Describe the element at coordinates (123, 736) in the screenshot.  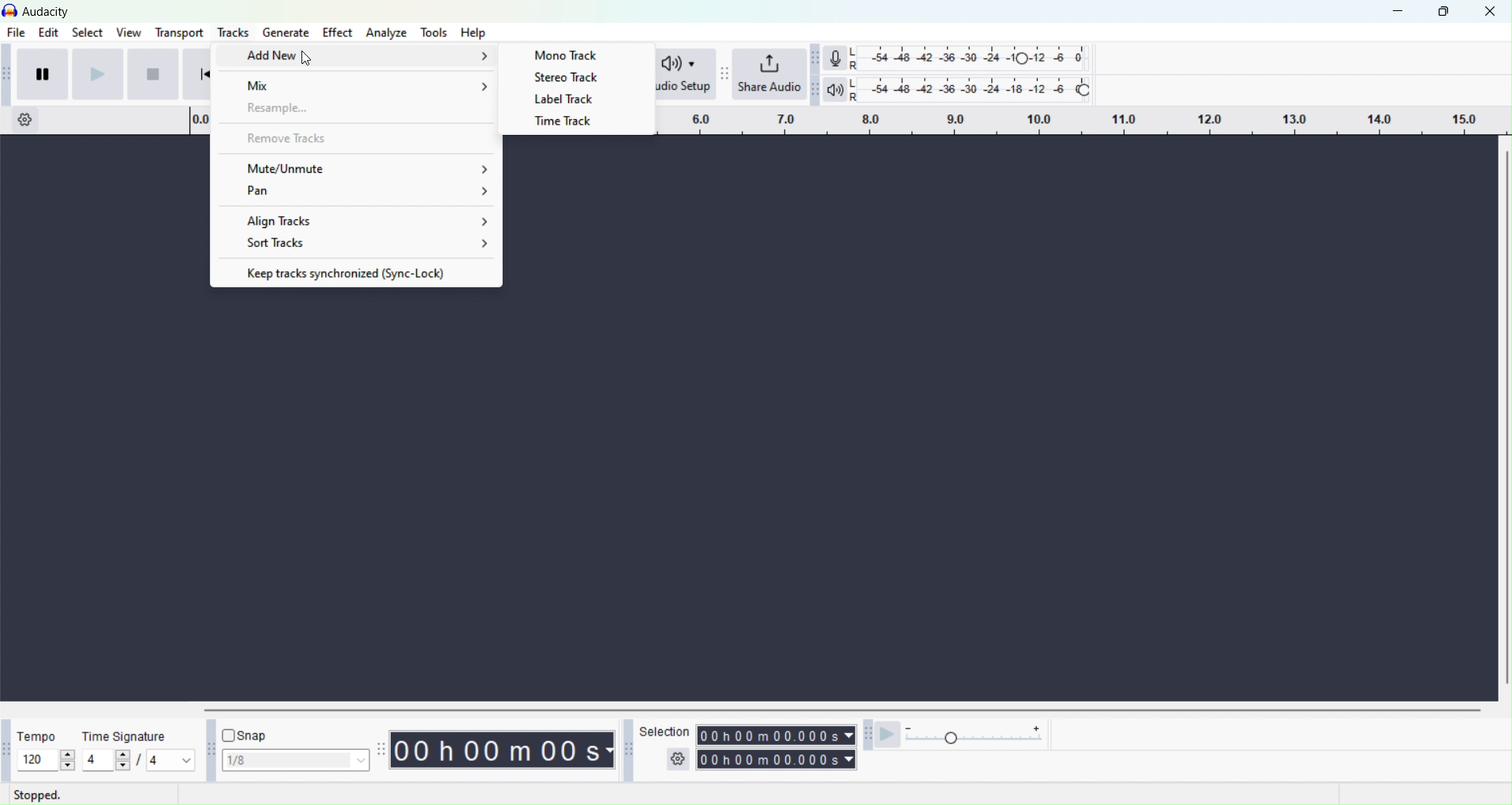
I see `Time signature` at that location.